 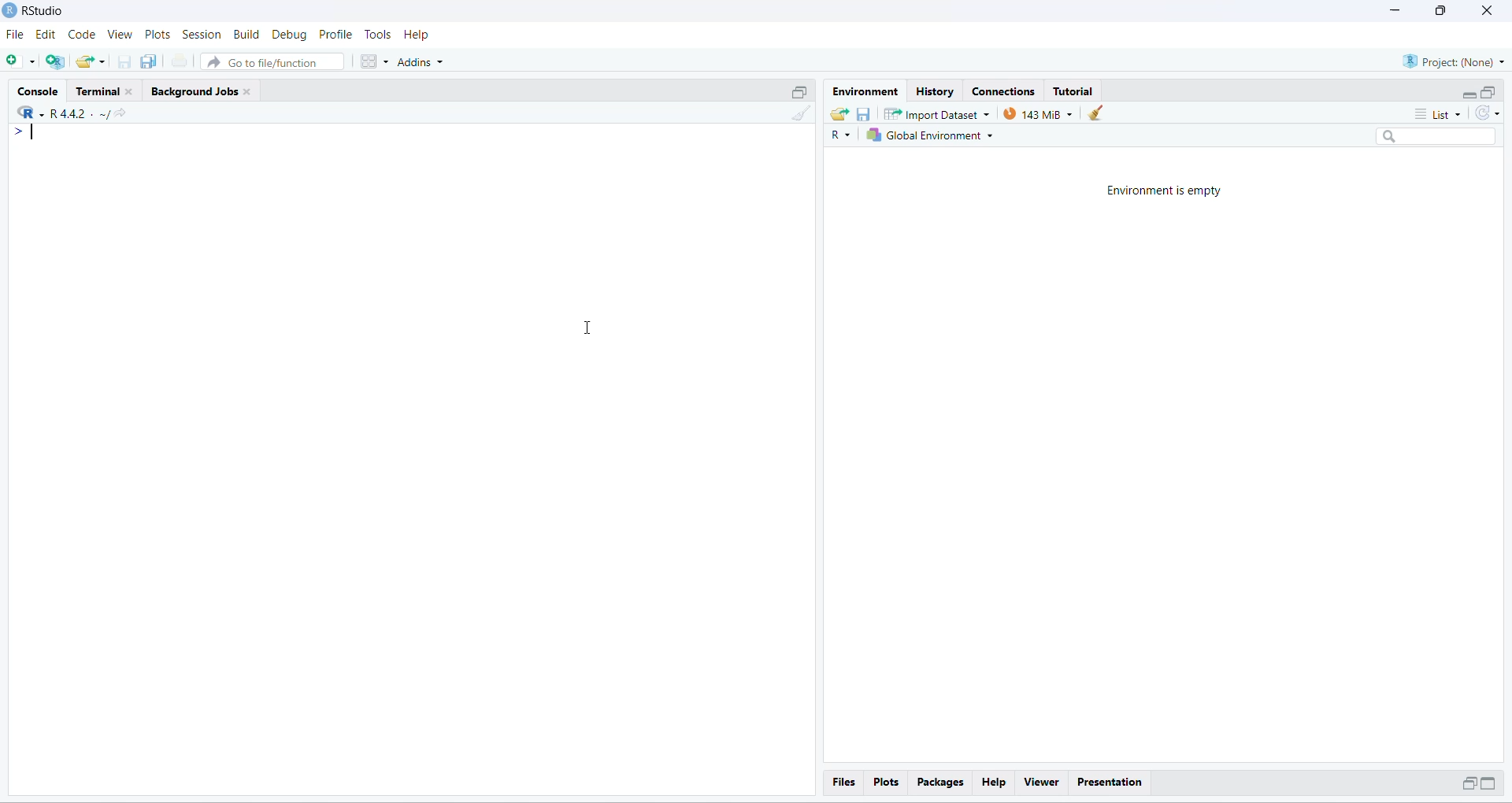 What do you see at coordinates (180, 60) in the screenshot?
I see `print` at bounding box center [180, 60].